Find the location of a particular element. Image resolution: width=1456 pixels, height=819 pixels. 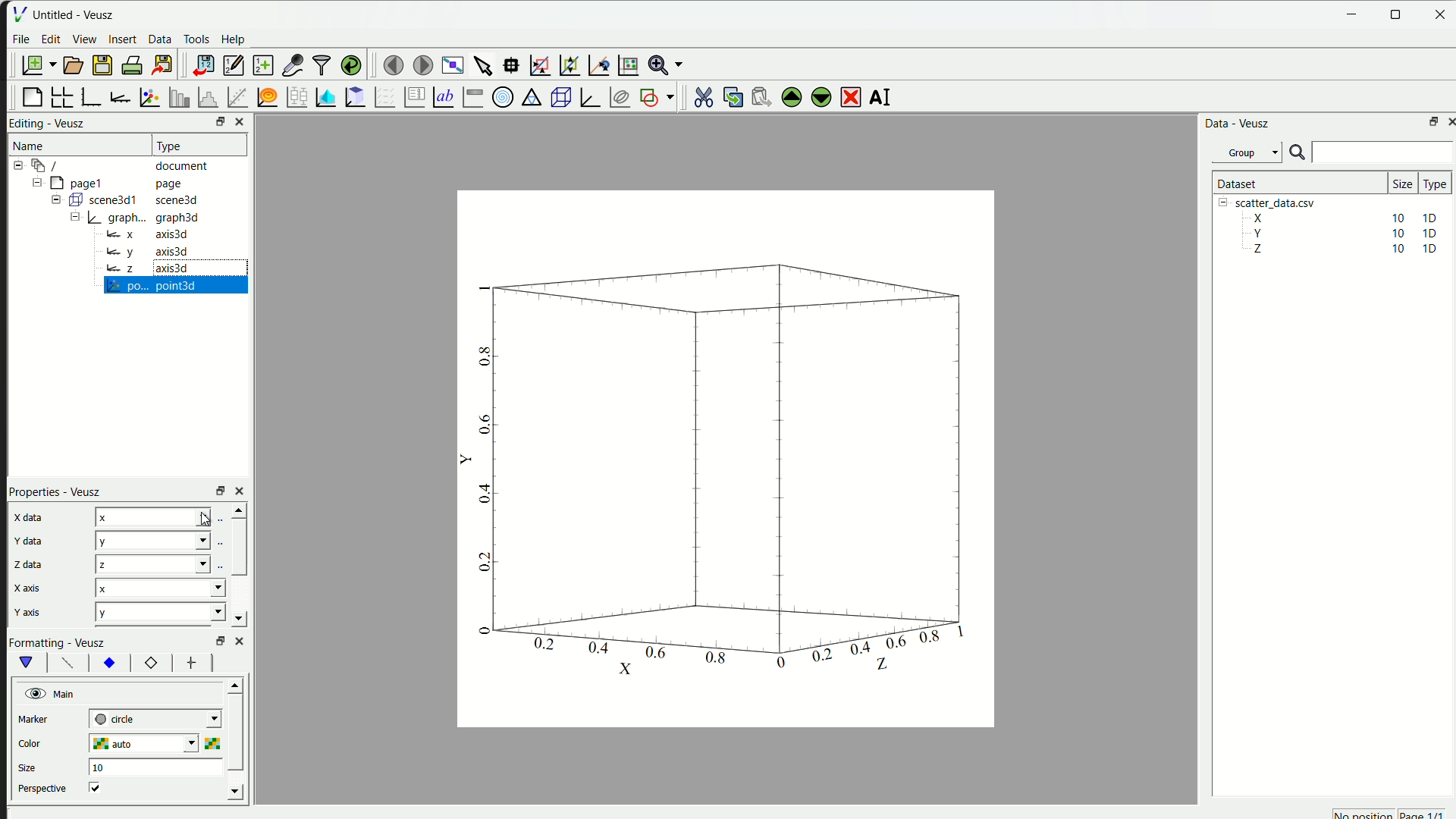

font is located at coordinates (191, 663).